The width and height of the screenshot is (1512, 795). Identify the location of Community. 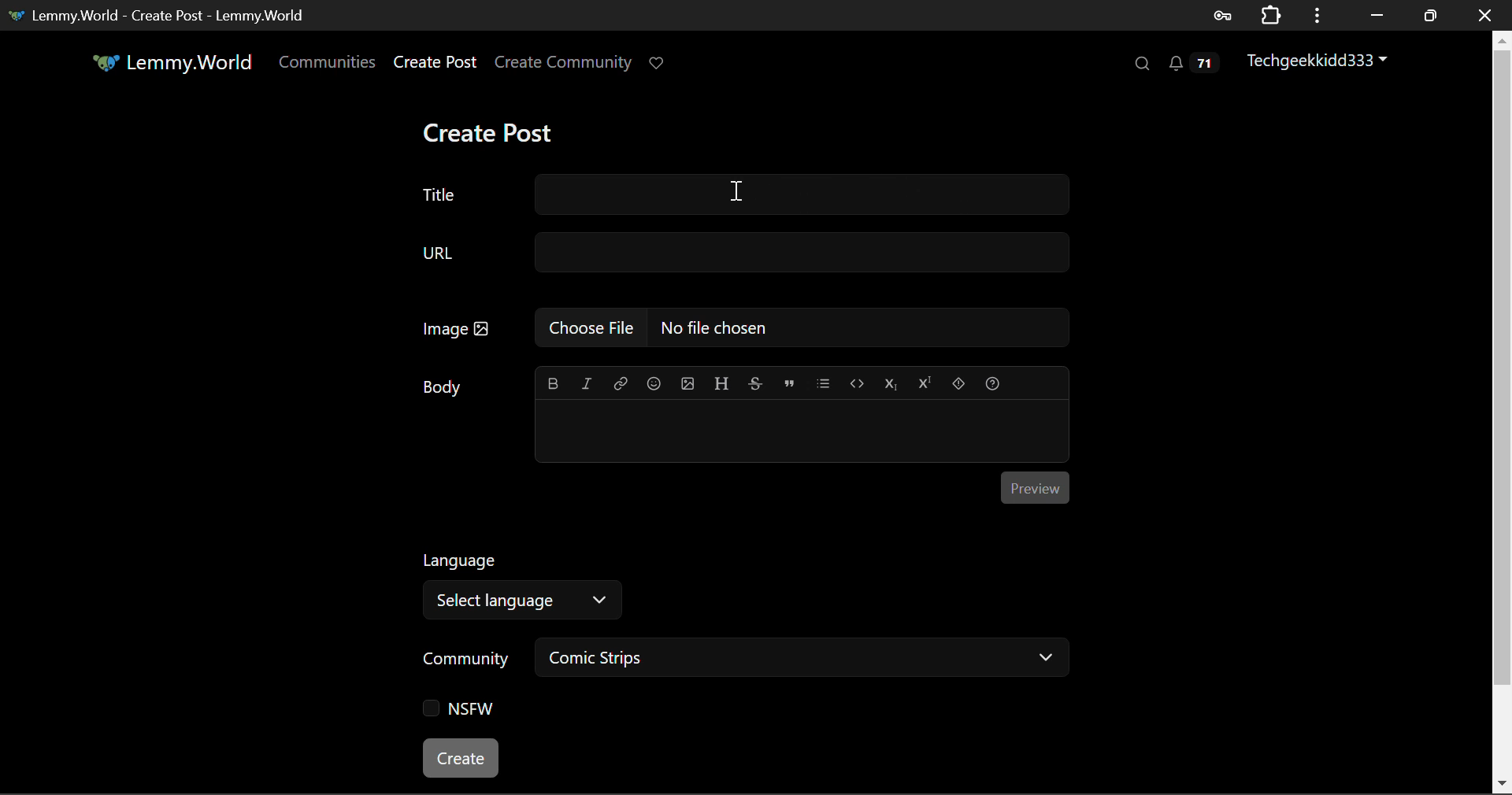
(465, 658).